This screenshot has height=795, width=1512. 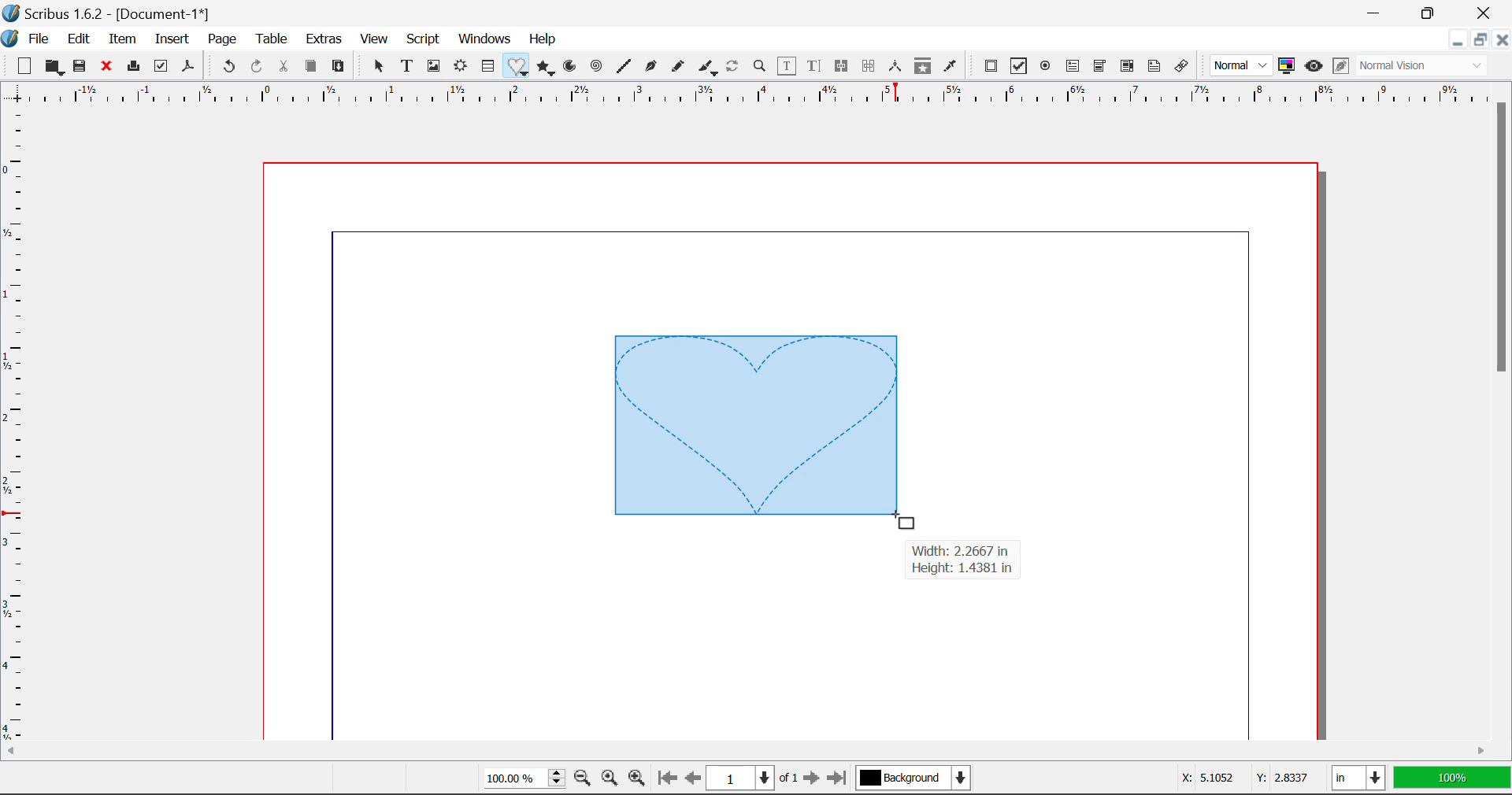 What do you see at coordinates (1503, 42) in the screenshot?
I see `Close` at bounding box center [1503, 42].